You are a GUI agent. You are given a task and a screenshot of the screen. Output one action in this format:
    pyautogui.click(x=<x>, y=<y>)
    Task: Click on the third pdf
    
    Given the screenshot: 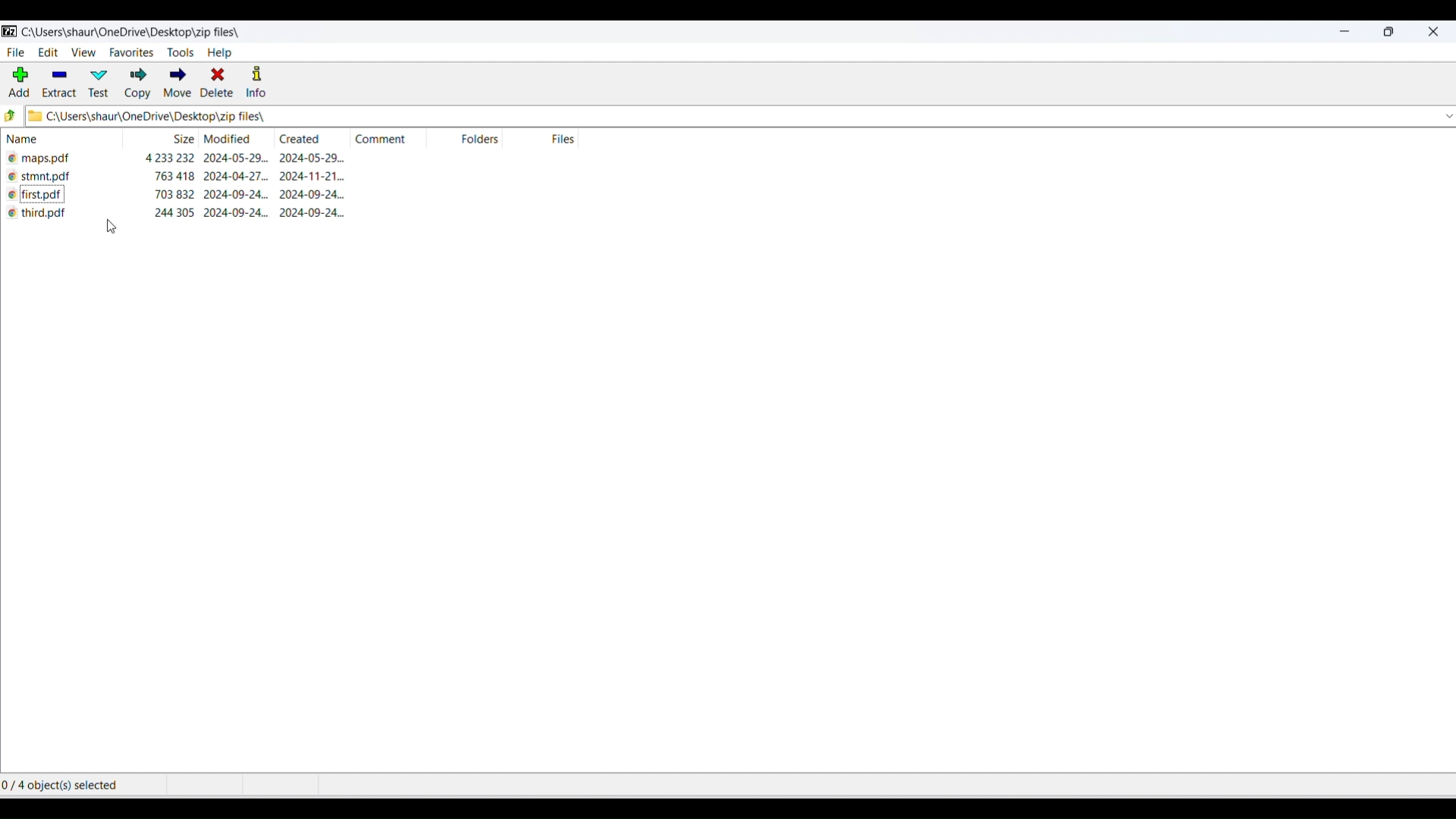 What is the action you would take?
    pyautogui.click(x=39, y=213)
    